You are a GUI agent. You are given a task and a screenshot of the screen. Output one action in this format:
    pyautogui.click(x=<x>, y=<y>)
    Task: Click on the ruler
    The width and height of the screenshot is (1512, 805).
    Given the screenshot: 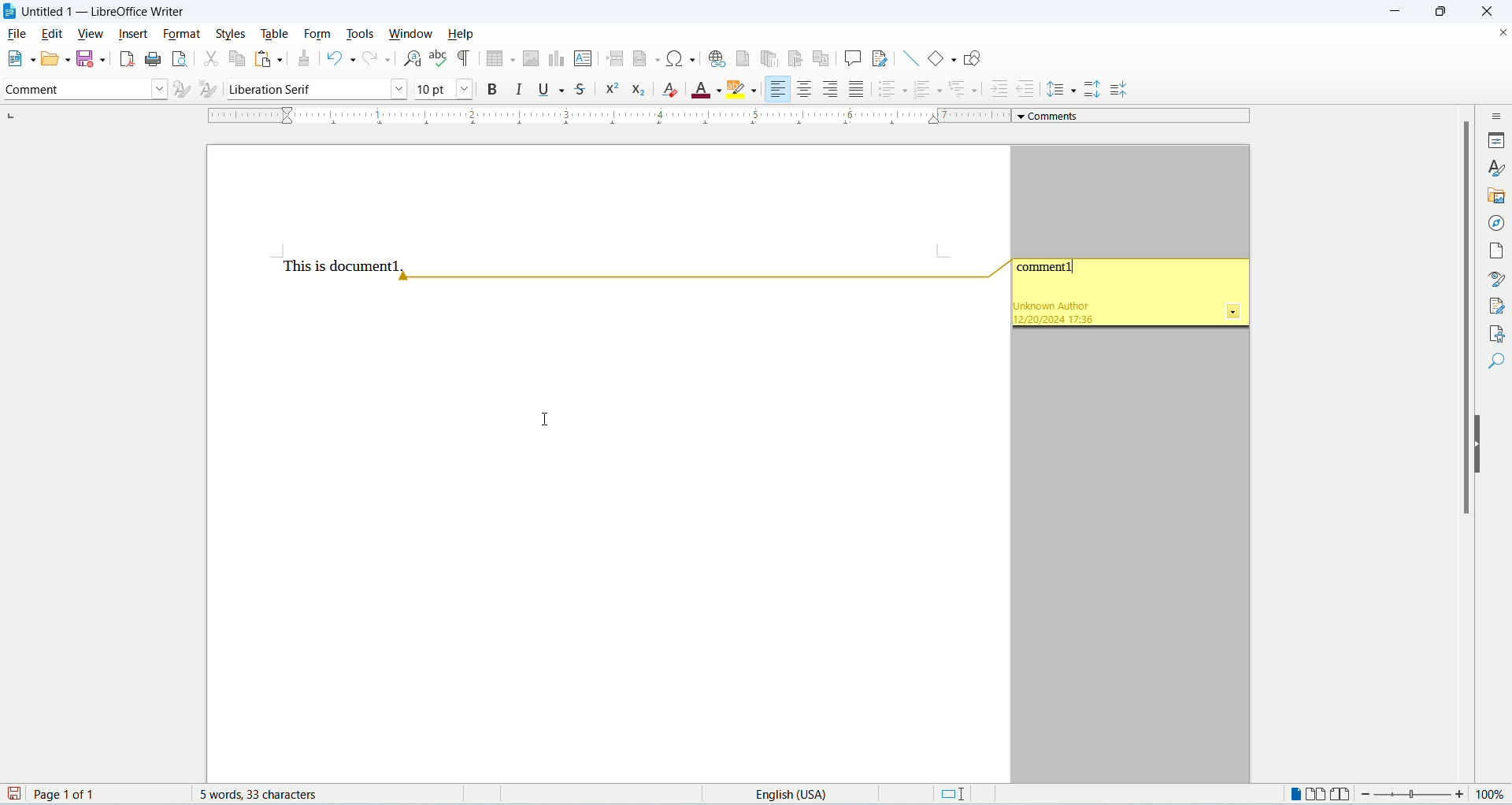 What is the action you would take?
    pyautogui.click(x=611, y=116)
    